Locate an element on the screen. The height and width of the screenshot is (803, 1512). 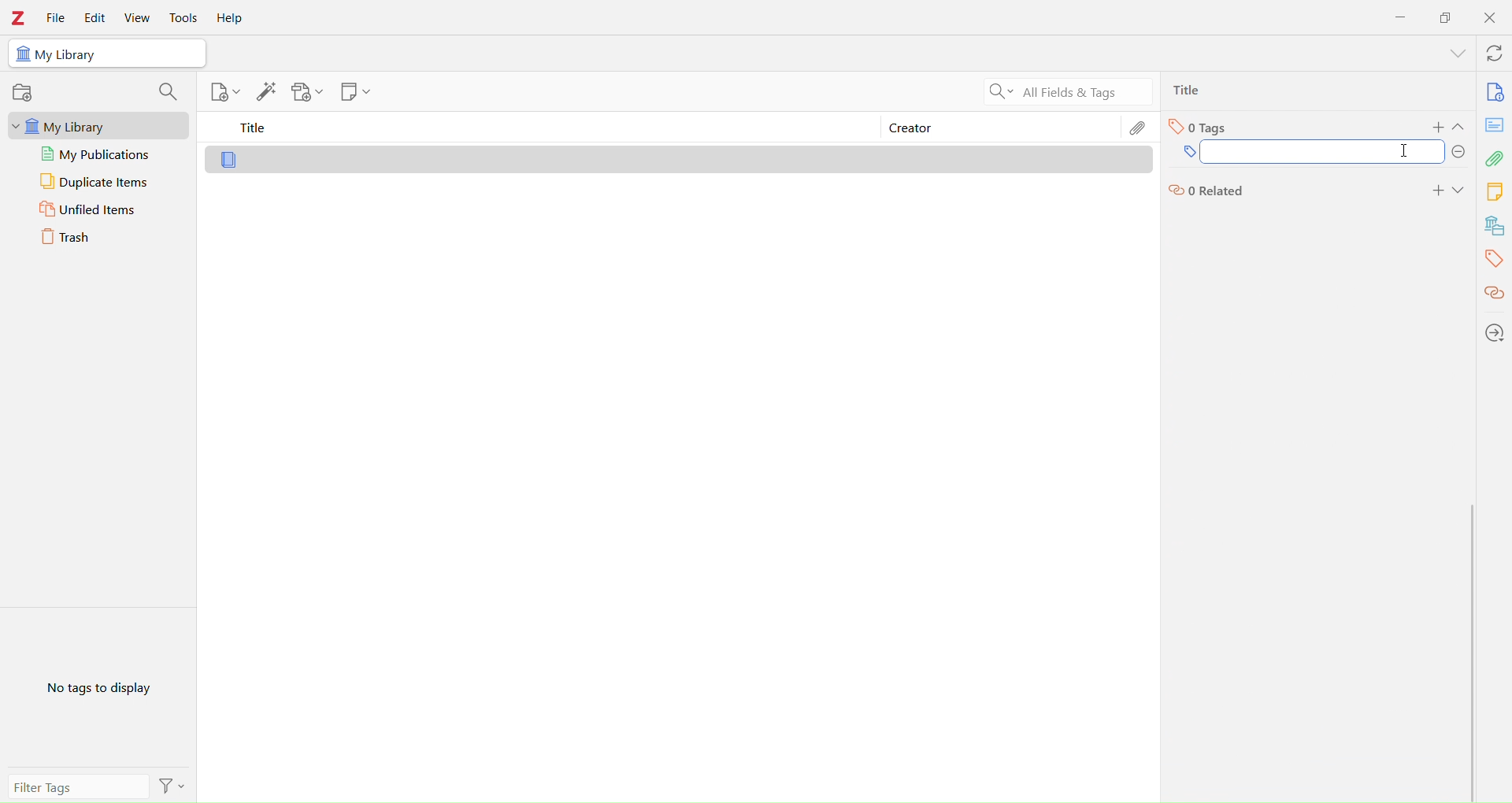
Ttlie is located at coordinates (1191, 90).